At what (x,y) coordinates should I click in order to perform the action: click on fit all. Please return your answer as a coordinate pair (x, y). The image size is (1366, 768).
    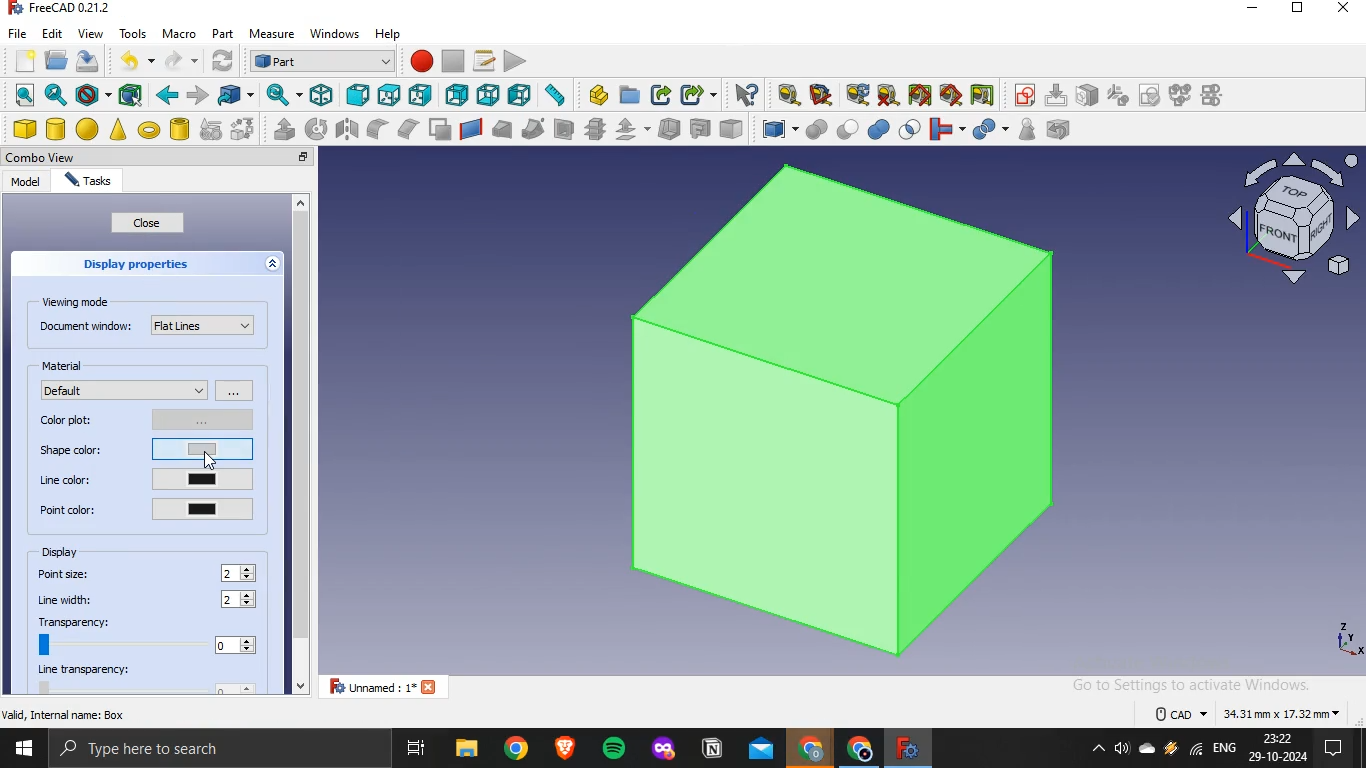
    Looking at the image, I should click on (24, 95).